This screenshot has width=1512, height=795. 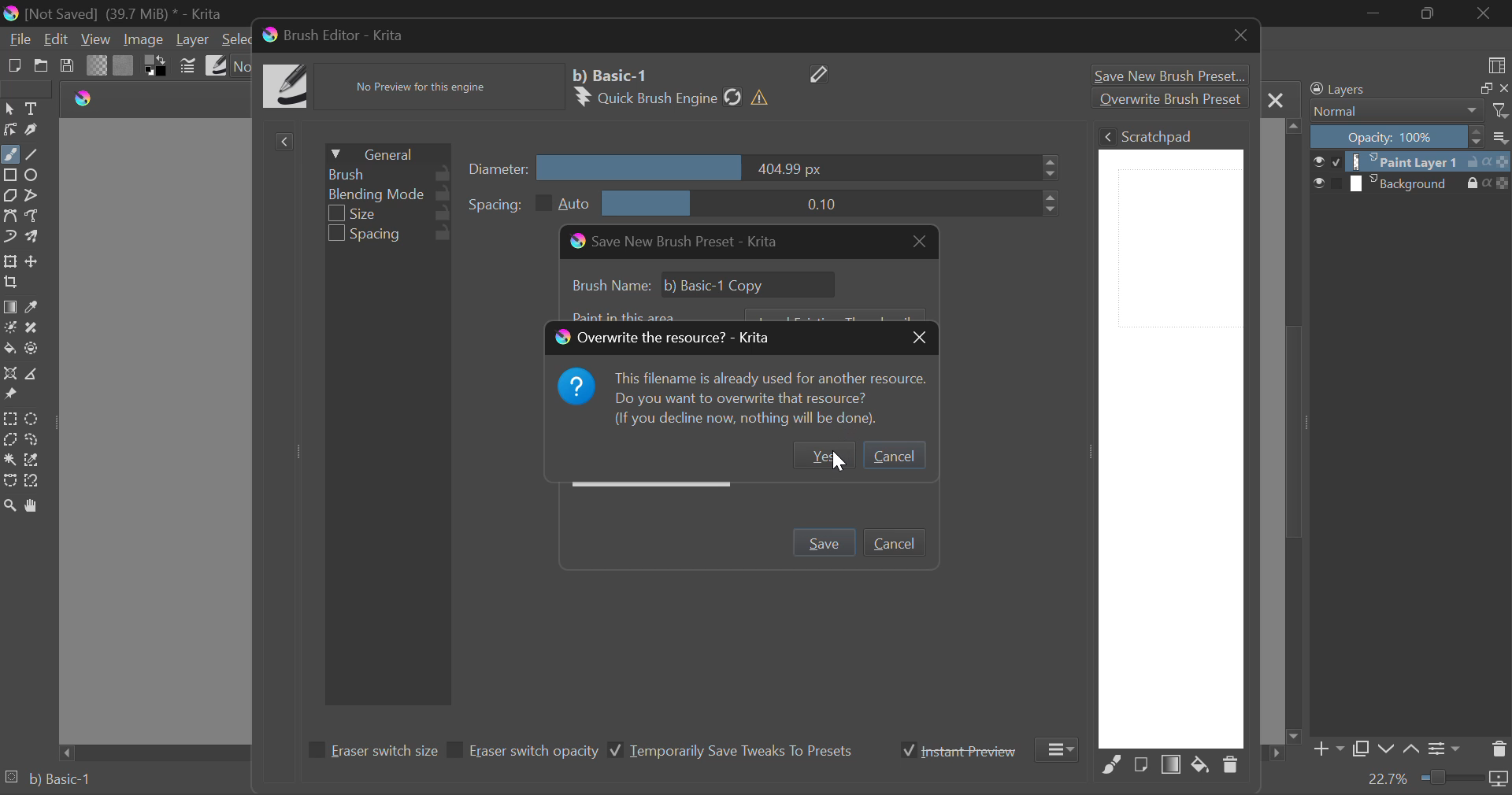 What do you see at coordinates (707, 285) in the screenshot?
I see `Brush Name` at bounding box center [707, 285].